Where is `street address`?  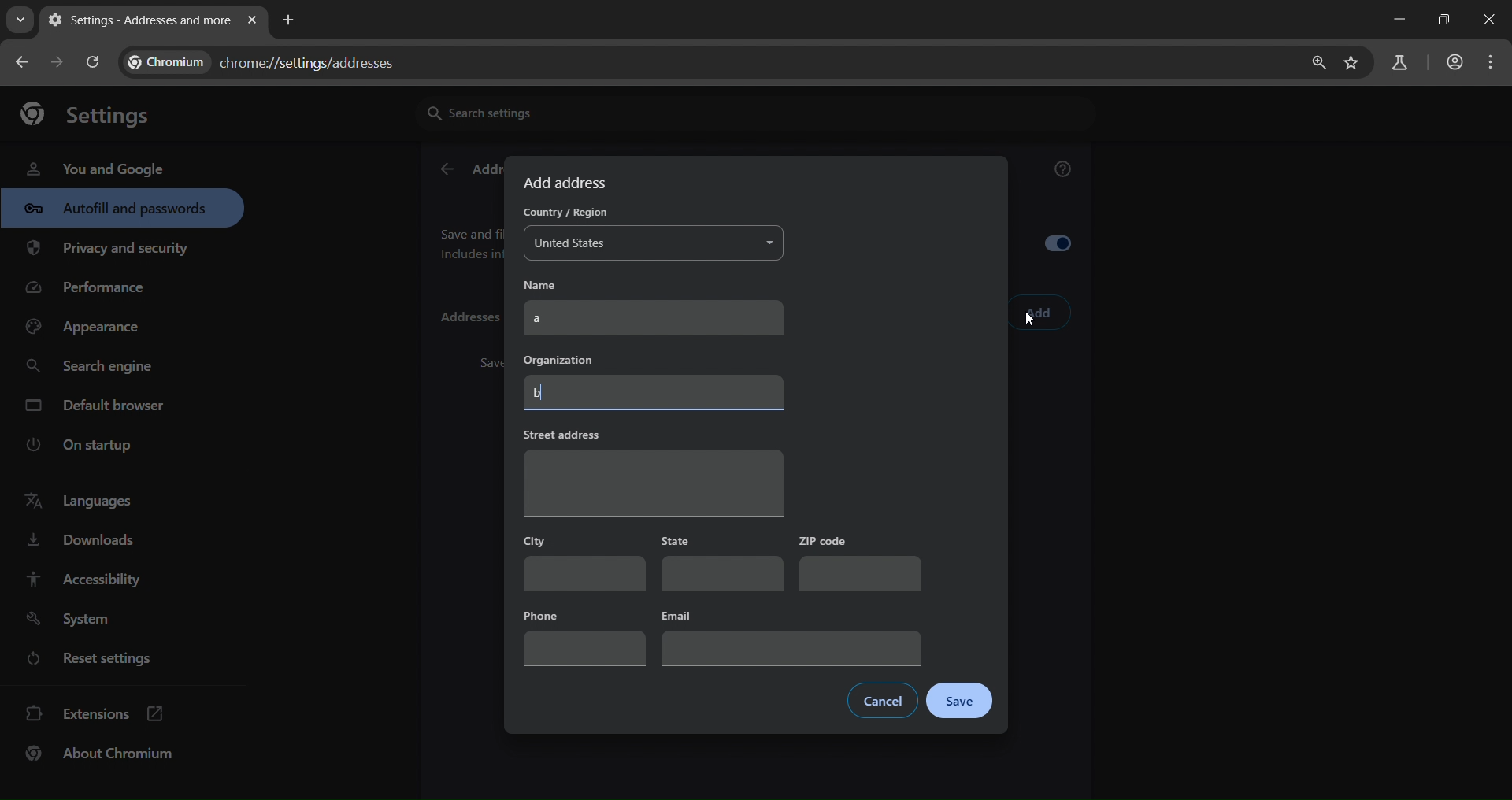
street address is located at coordinates (652, 471).